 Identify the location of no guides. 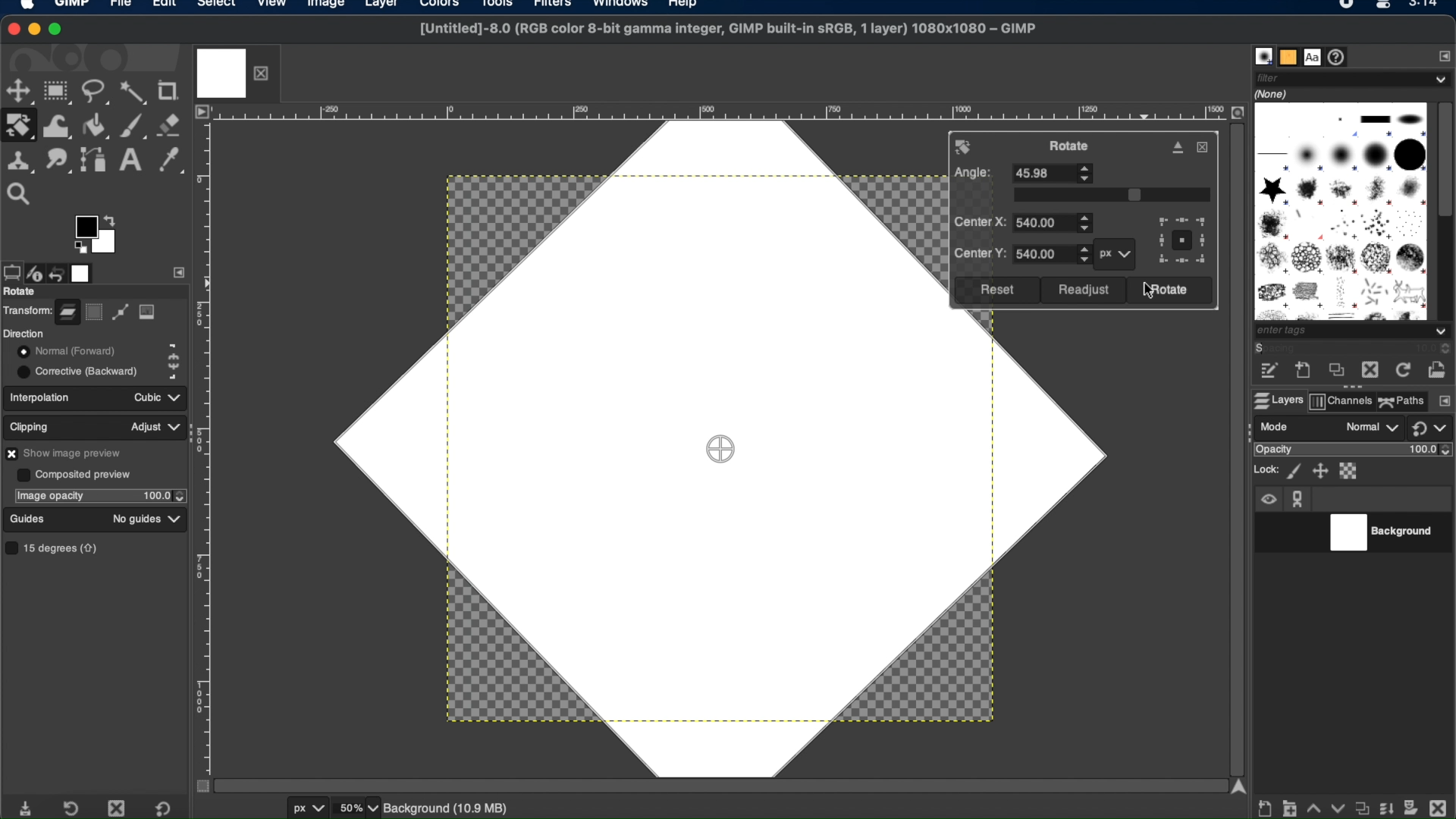
(136, 519).